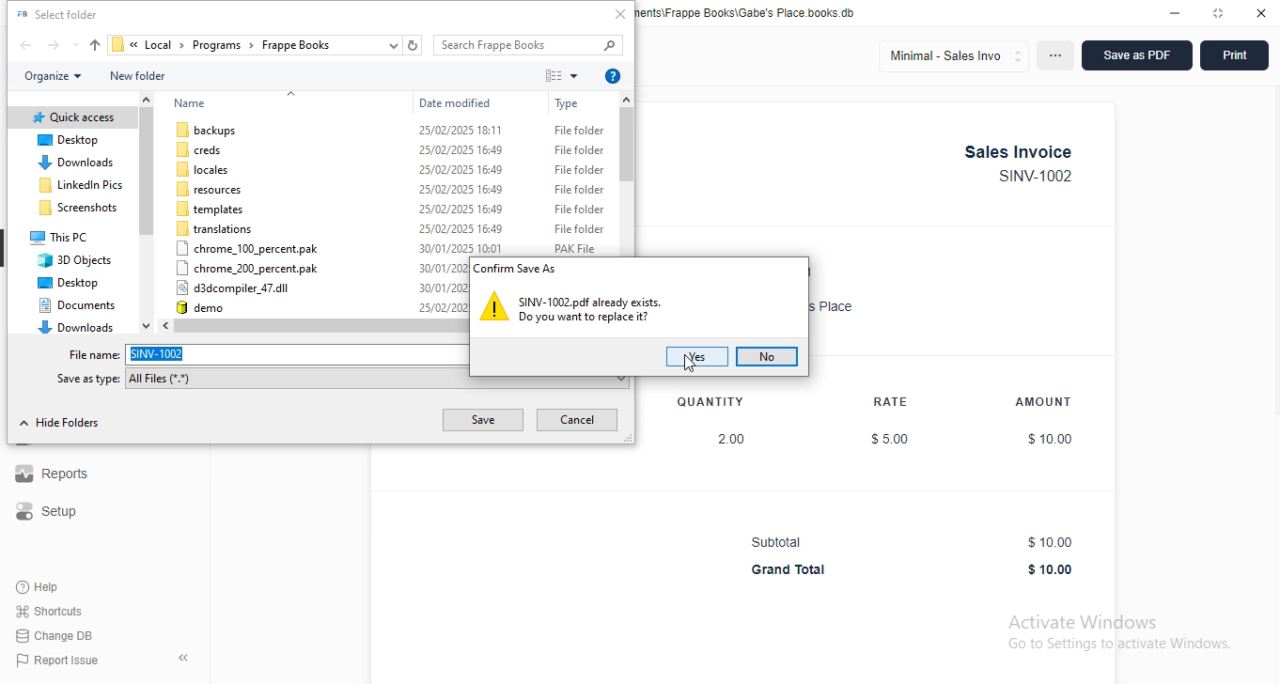  What do you see at coordinates (322, 325) in the screenshot?
I see `scroll bar` at bounding box center [322, 325].